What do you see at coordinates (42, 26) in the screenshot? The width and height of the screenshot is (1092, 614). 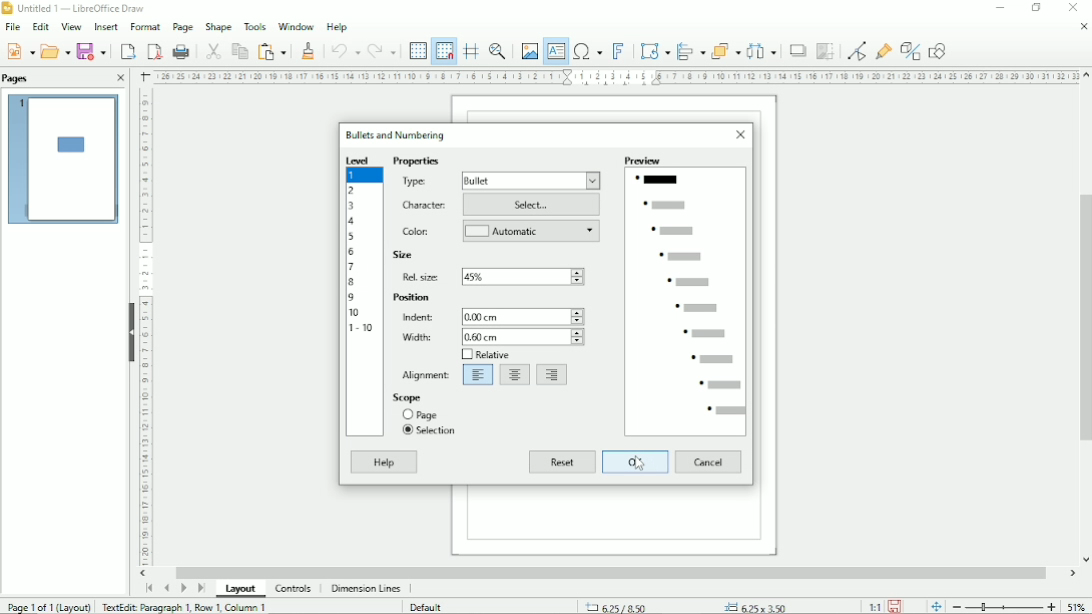 I see `Edit` at bounding box center [42, 26].